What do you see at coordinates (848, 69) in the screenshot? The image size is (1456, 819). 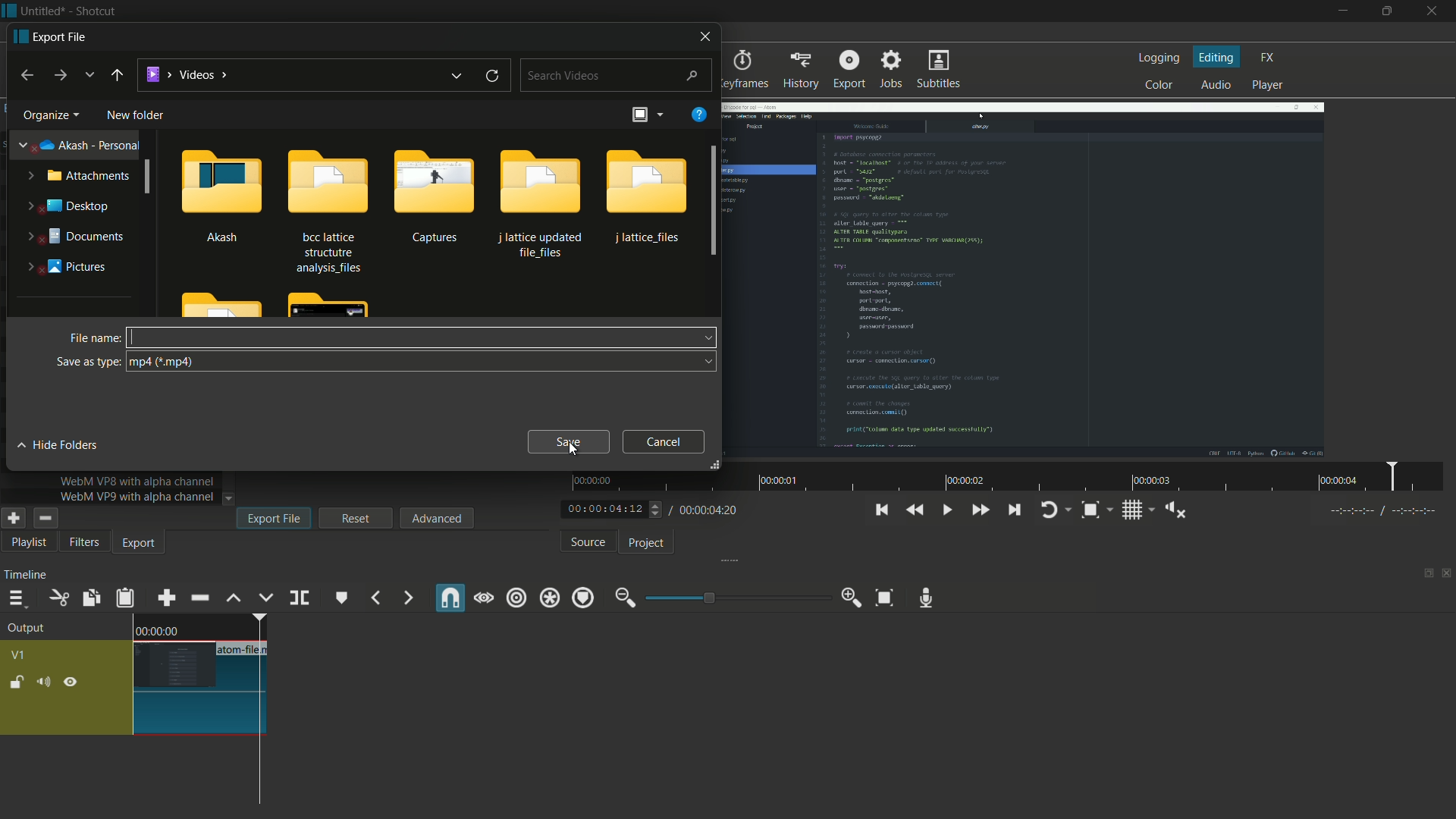 I see `export` at bounding box center [848, 69].